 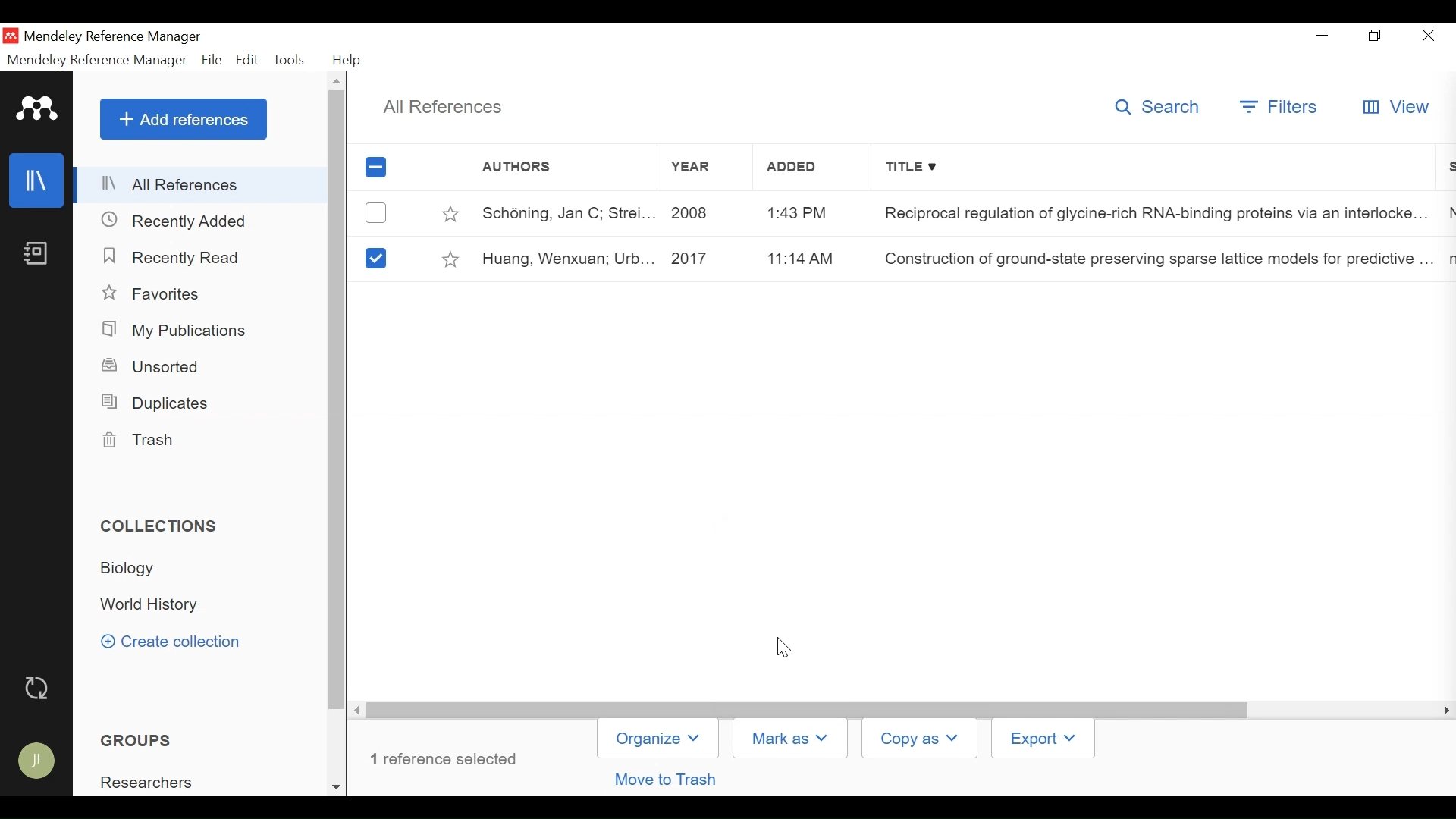 I want to click on Mendeley Reference Manager, so click(x=96, y=61).